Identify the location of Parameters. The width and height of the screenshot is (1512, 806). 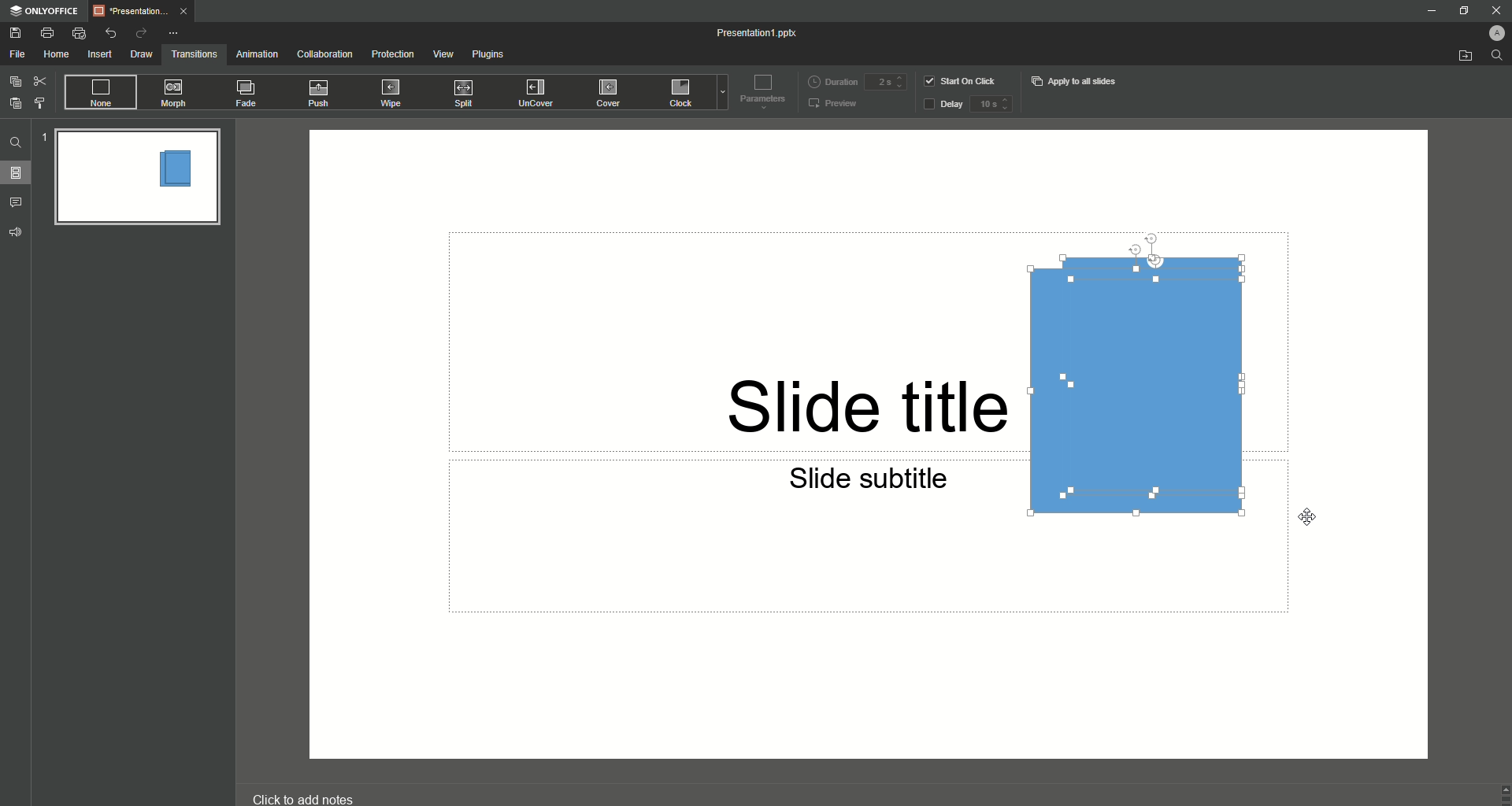
(759, 91).